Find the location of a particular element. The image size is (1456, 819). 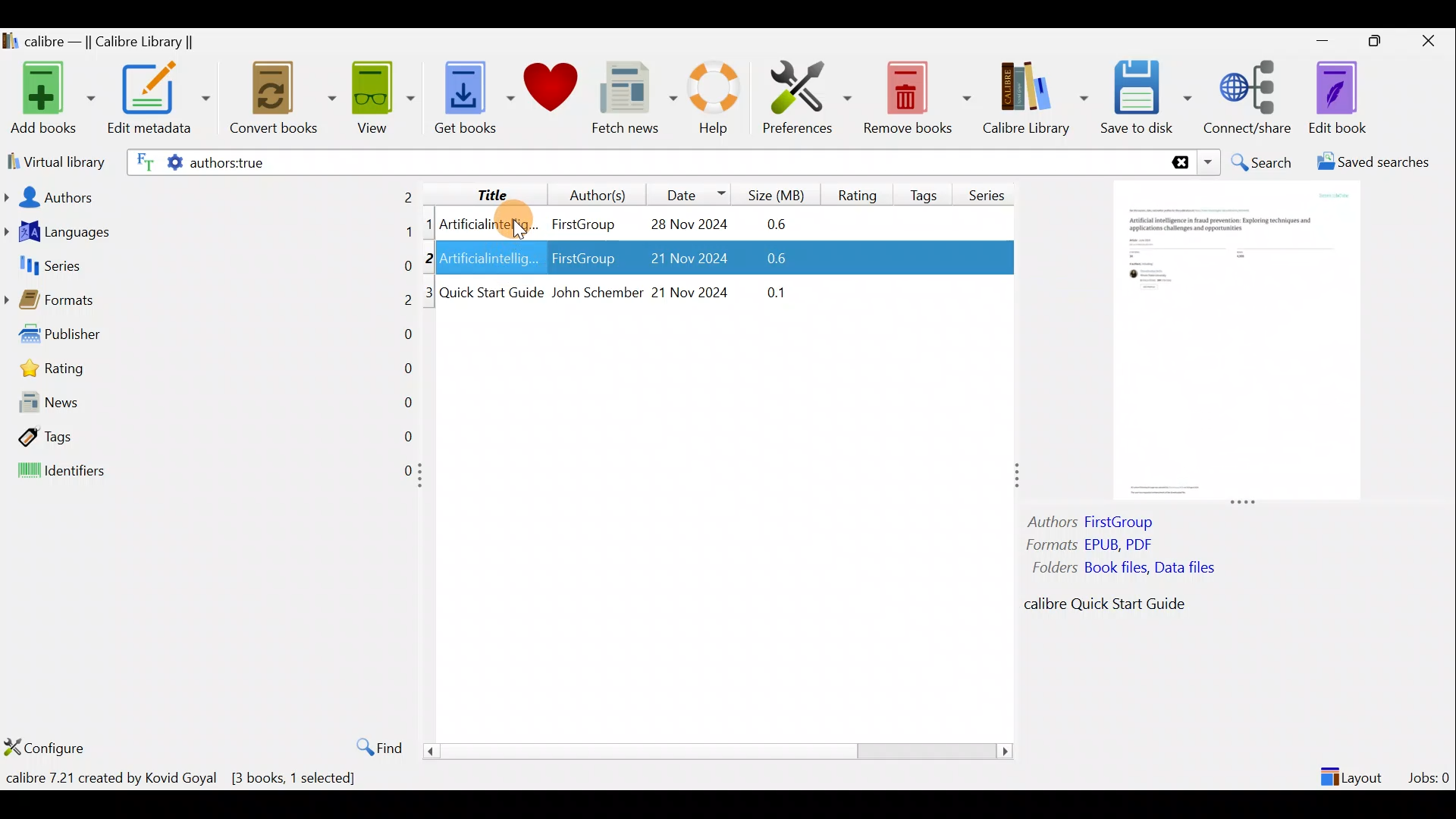

Find is located at coordinates (372, 746).